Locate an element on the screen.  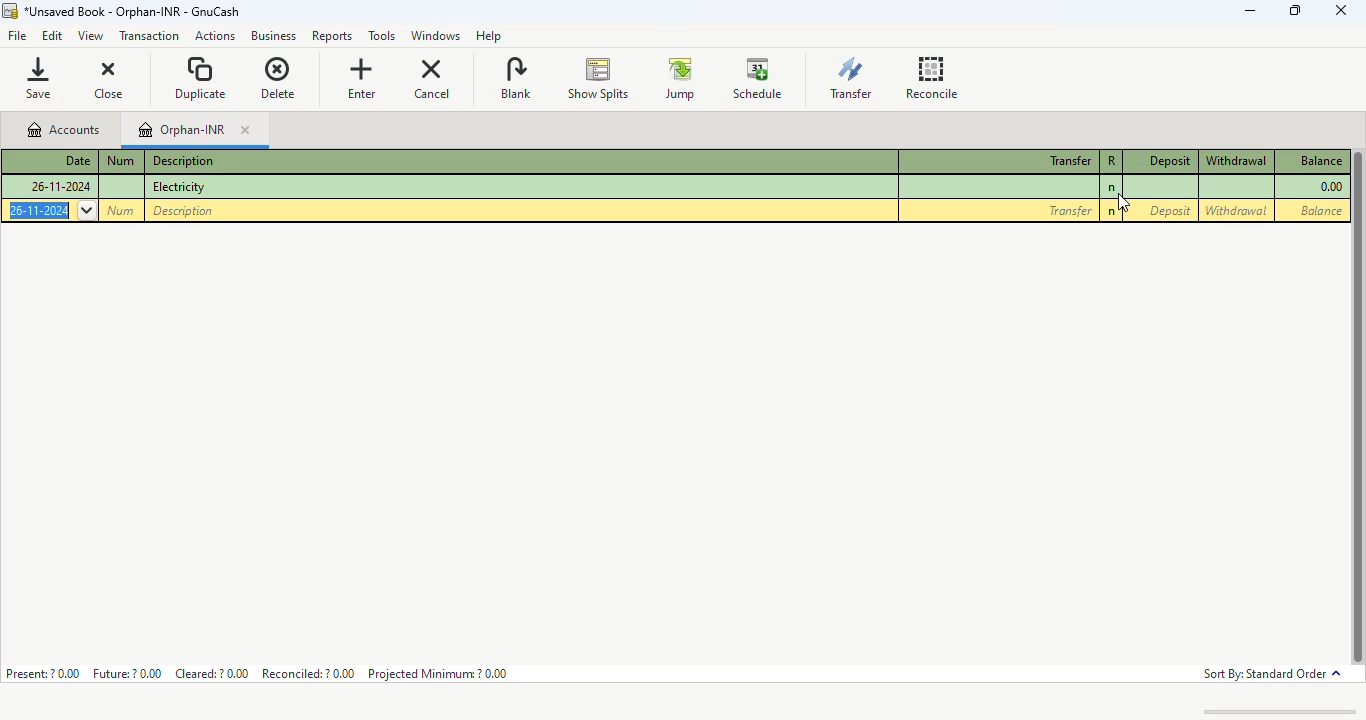
close  is located at coordinates (244, 131).